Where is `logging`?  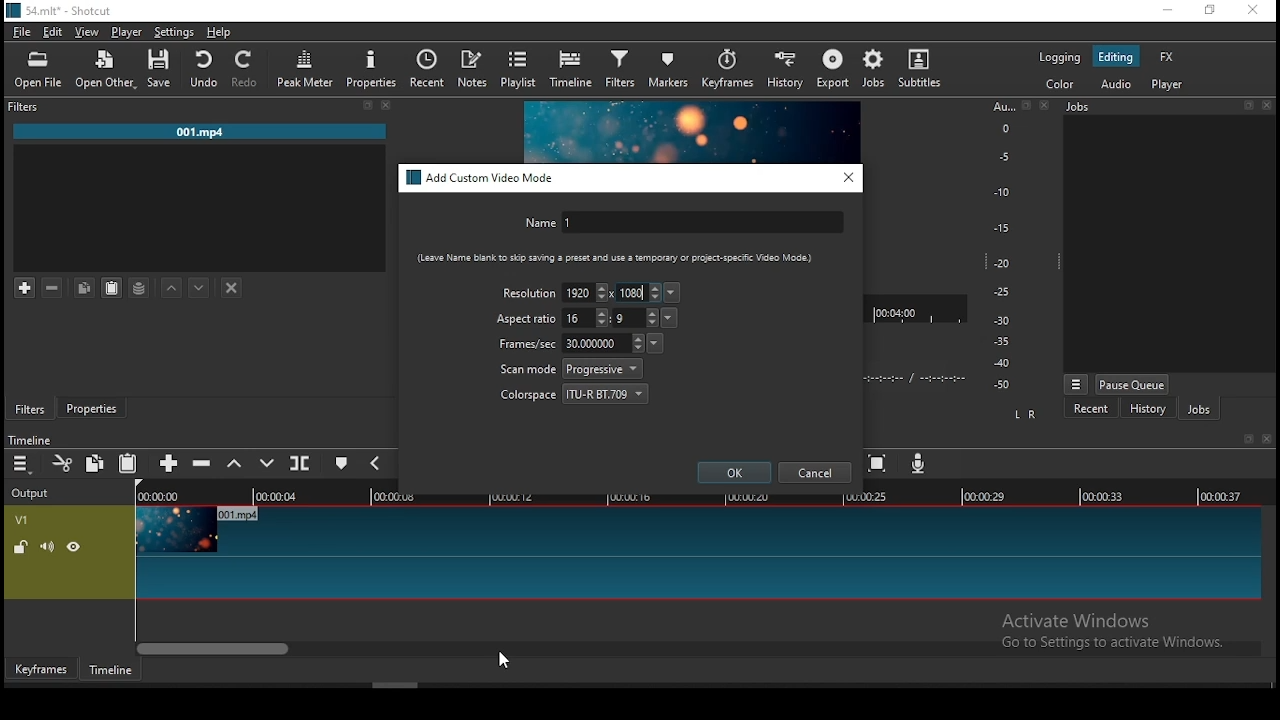 logging is located at coordinates (1059, 56).